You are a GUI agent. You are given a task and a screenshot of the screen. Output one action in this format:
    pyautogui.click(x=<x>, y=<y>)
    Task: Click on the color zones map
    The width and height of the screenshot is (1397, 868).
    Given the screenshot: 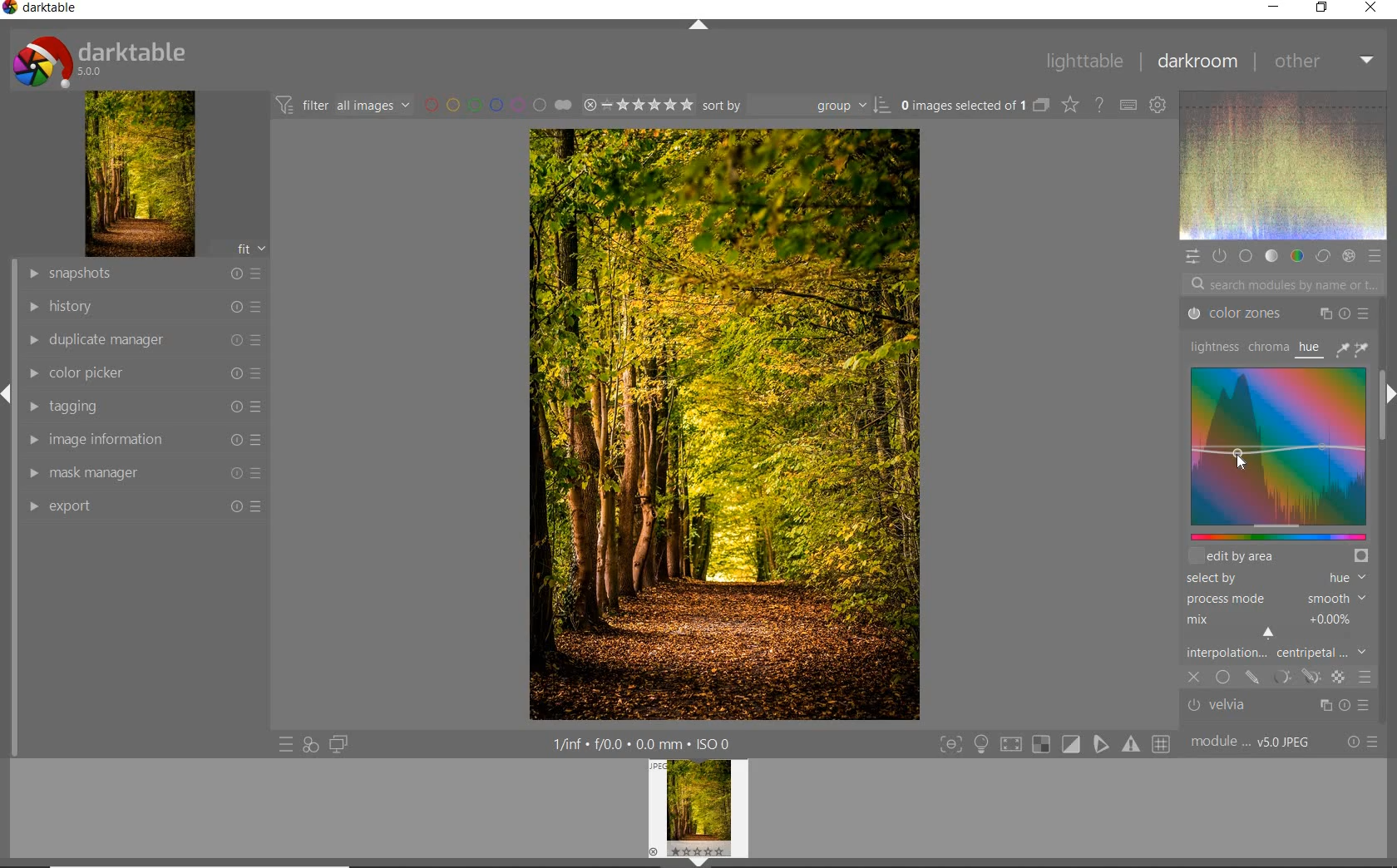 What is the action you would take?
    pyautogui.click(x=1278, y=452)
    